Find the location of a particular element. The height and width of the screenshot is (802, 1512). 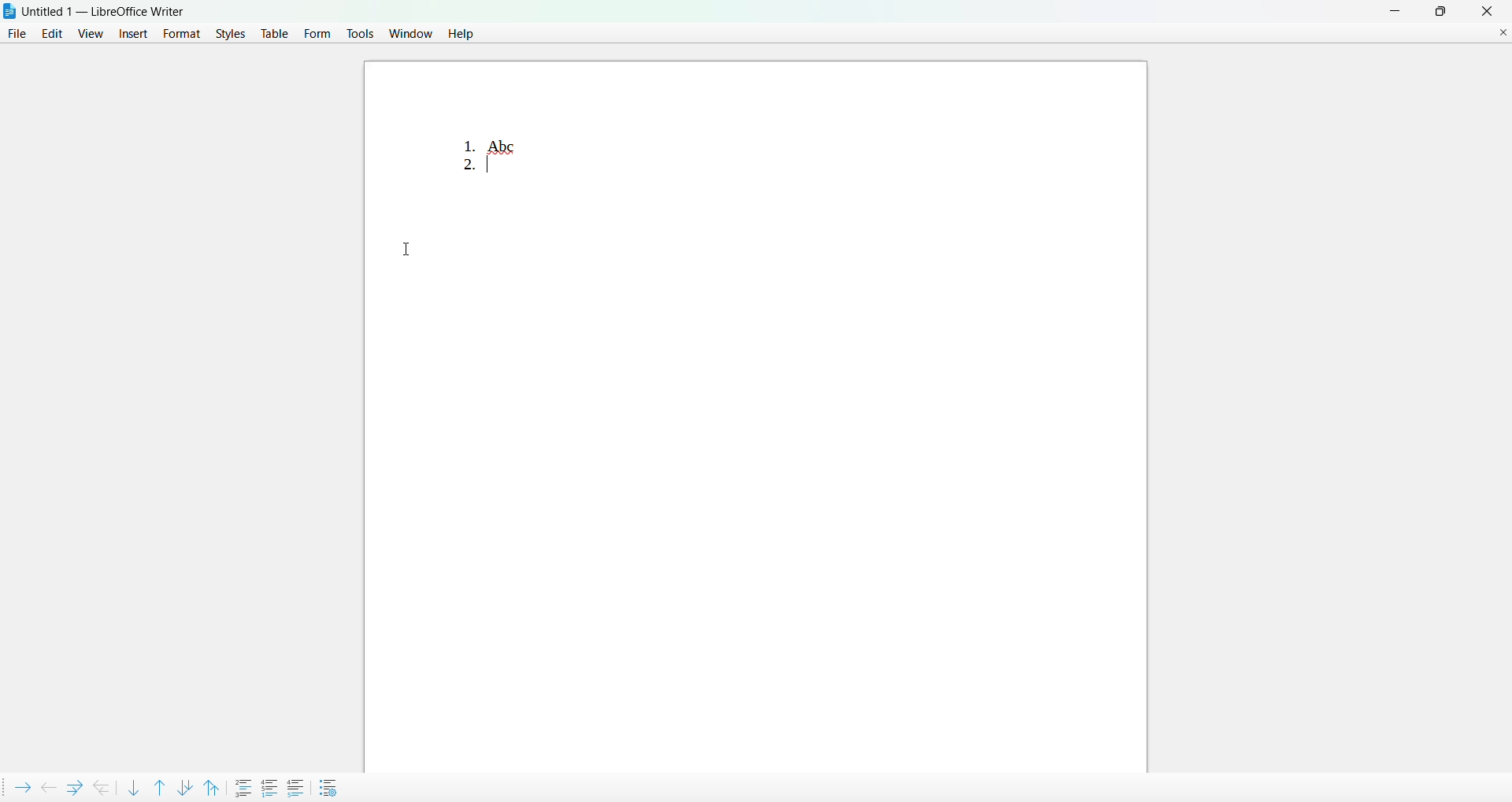

form is located at coordinates (318, 32).